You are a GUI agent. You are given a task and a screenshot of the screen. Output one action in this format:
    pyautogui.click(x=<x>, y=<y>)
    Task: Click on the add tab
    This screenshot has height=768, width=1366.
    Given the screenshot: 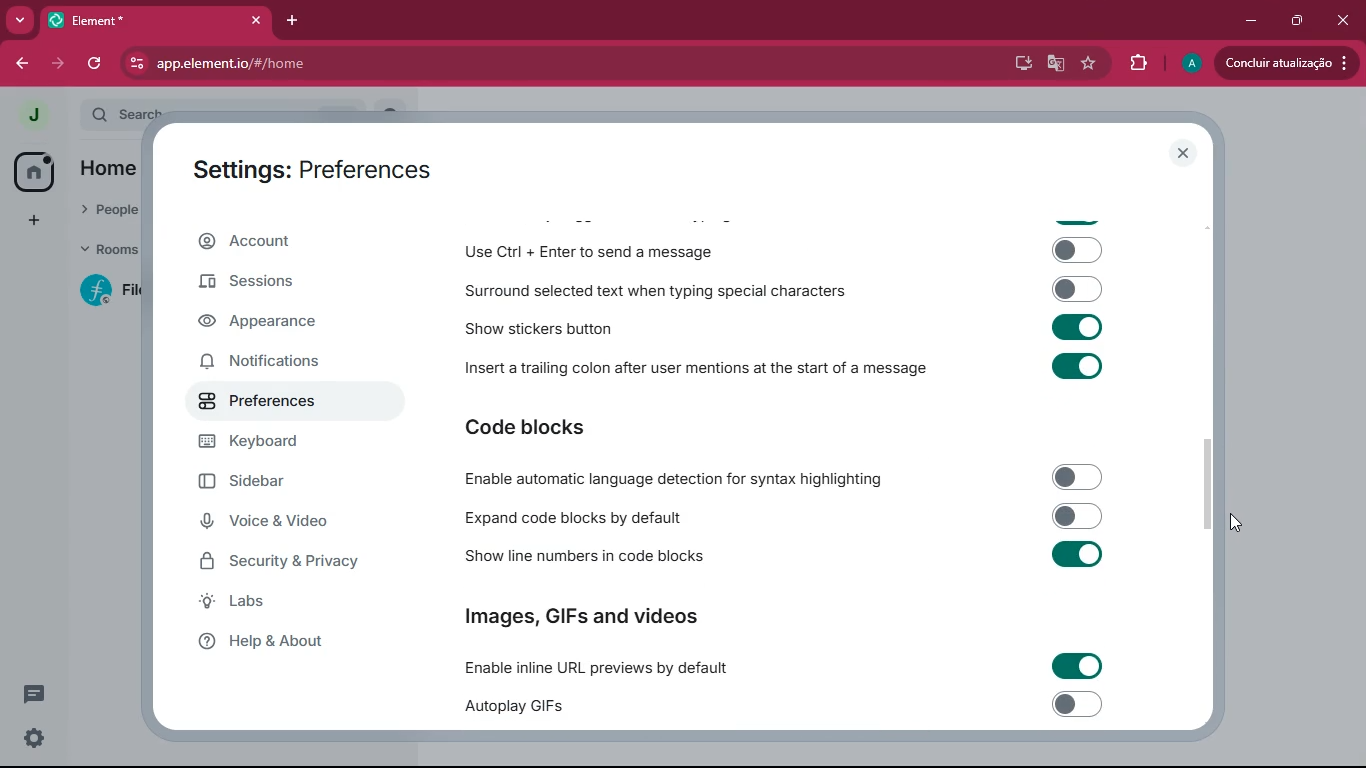 What is the action you would take?
    pyautogui.click(x=290, y=22)
    